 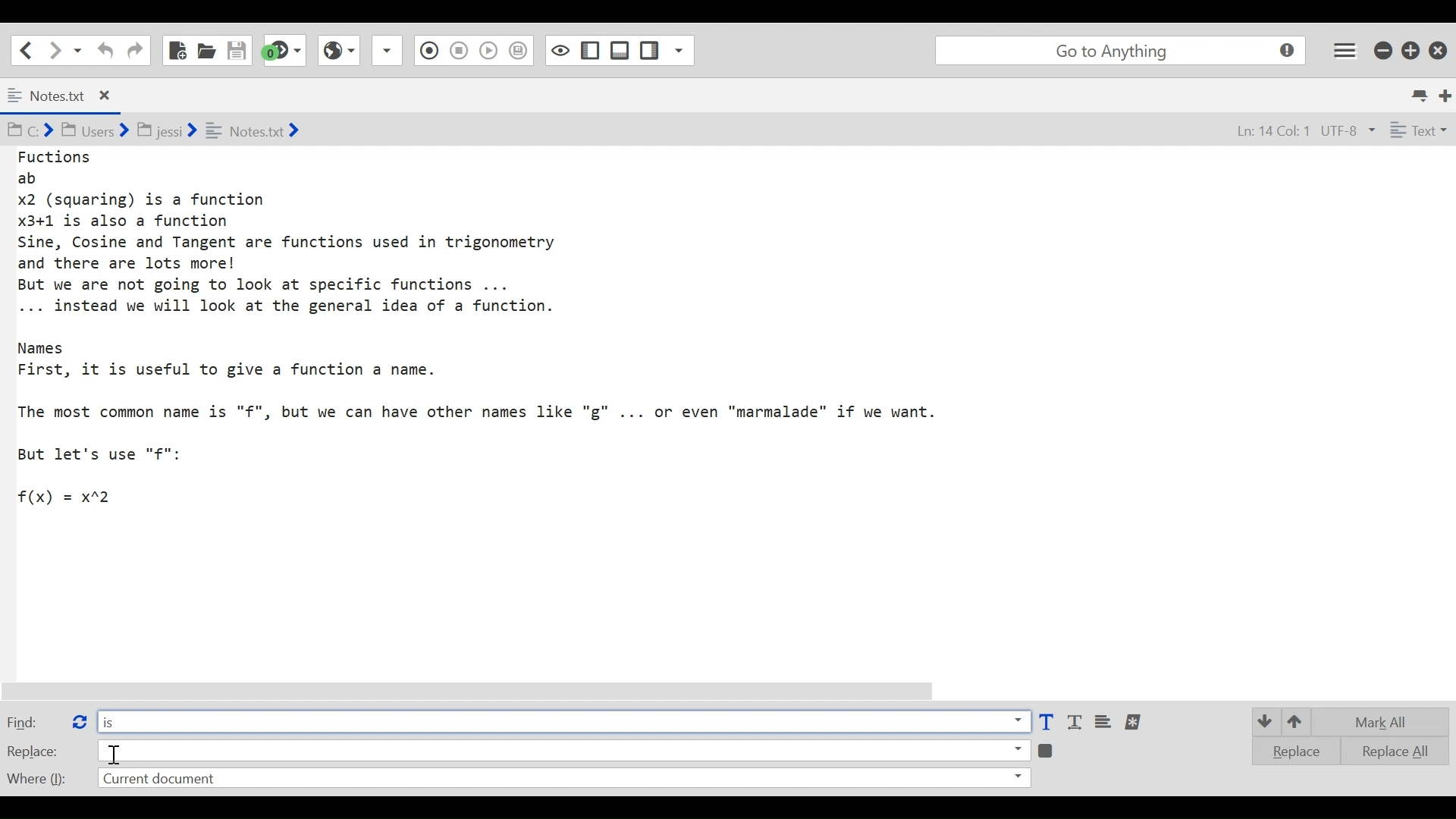 What do you see at coordinates (1421, 93) in the screenshot?
I see `List All Tabs` at bounding box center [1421, 93].